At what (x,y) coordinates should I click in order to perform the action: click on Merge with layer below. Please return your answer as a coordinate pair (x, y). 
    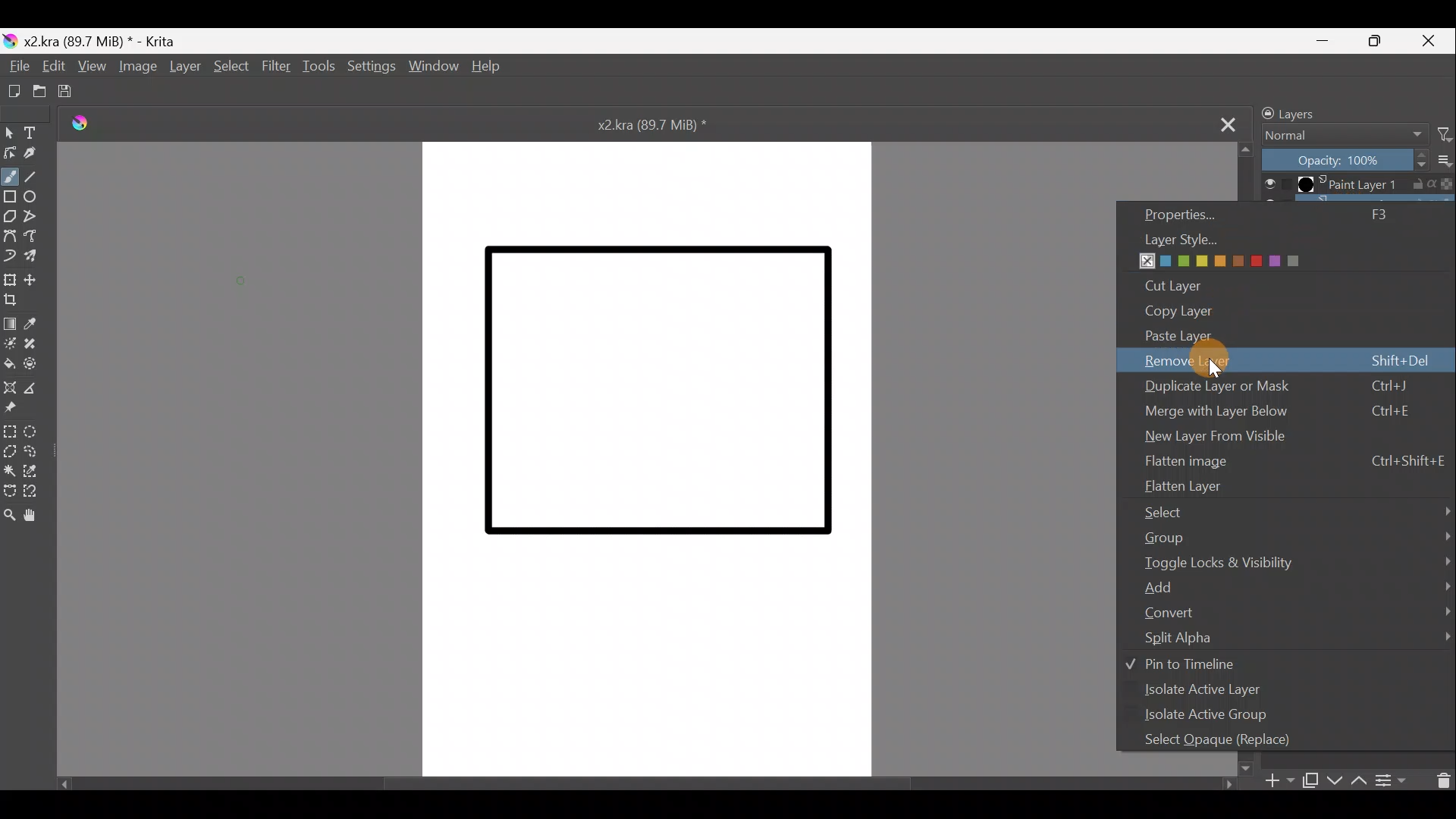
    Looking at the image, I should click on (1276, 411).